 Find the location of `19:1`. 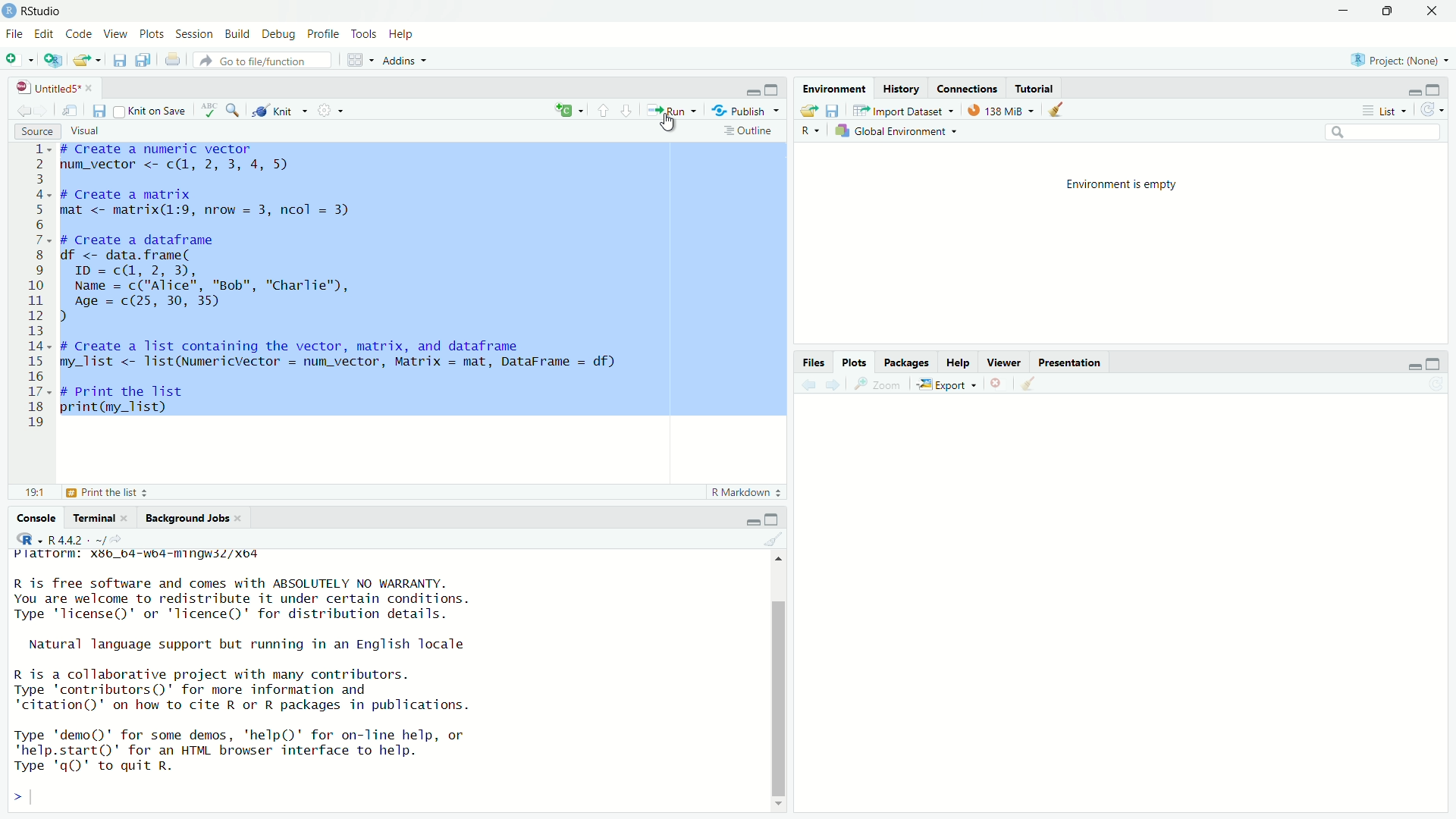

19:1 is located at coordinates (36, 493).